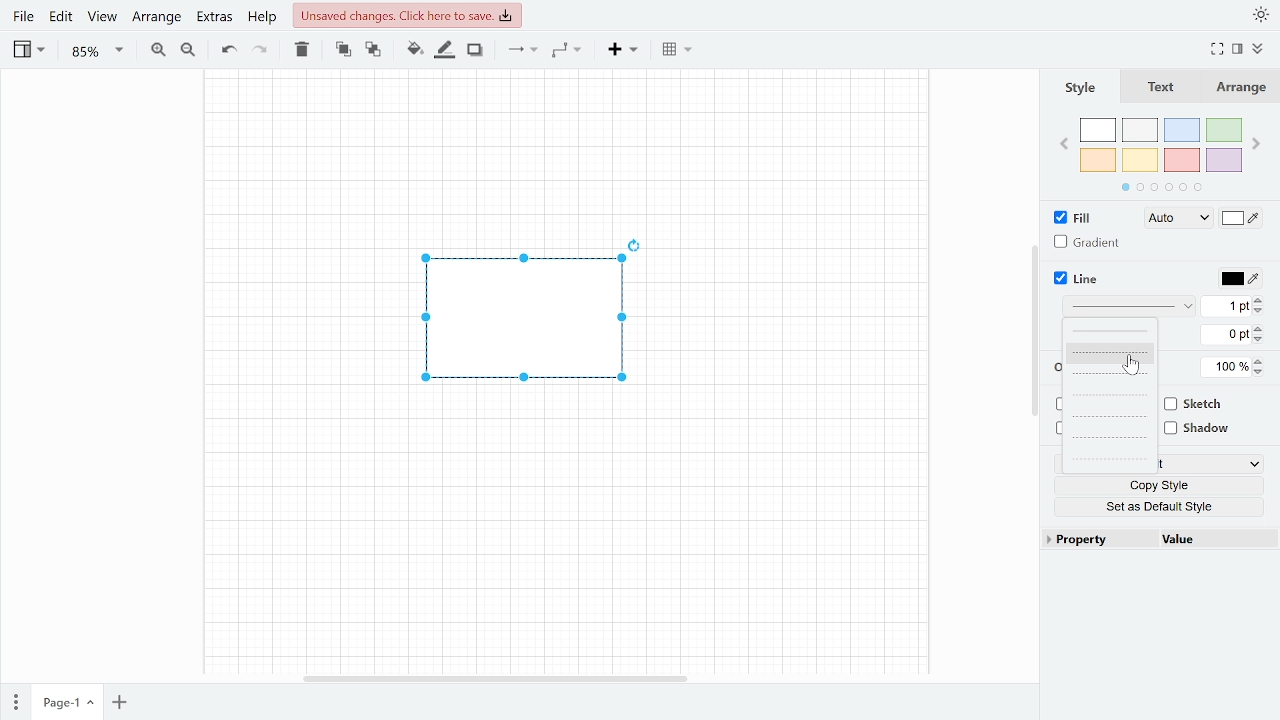 The image size is (1280, 720). Describe the element at coordinates (303, 50) in the screenshot. I see `Delete` at that location.